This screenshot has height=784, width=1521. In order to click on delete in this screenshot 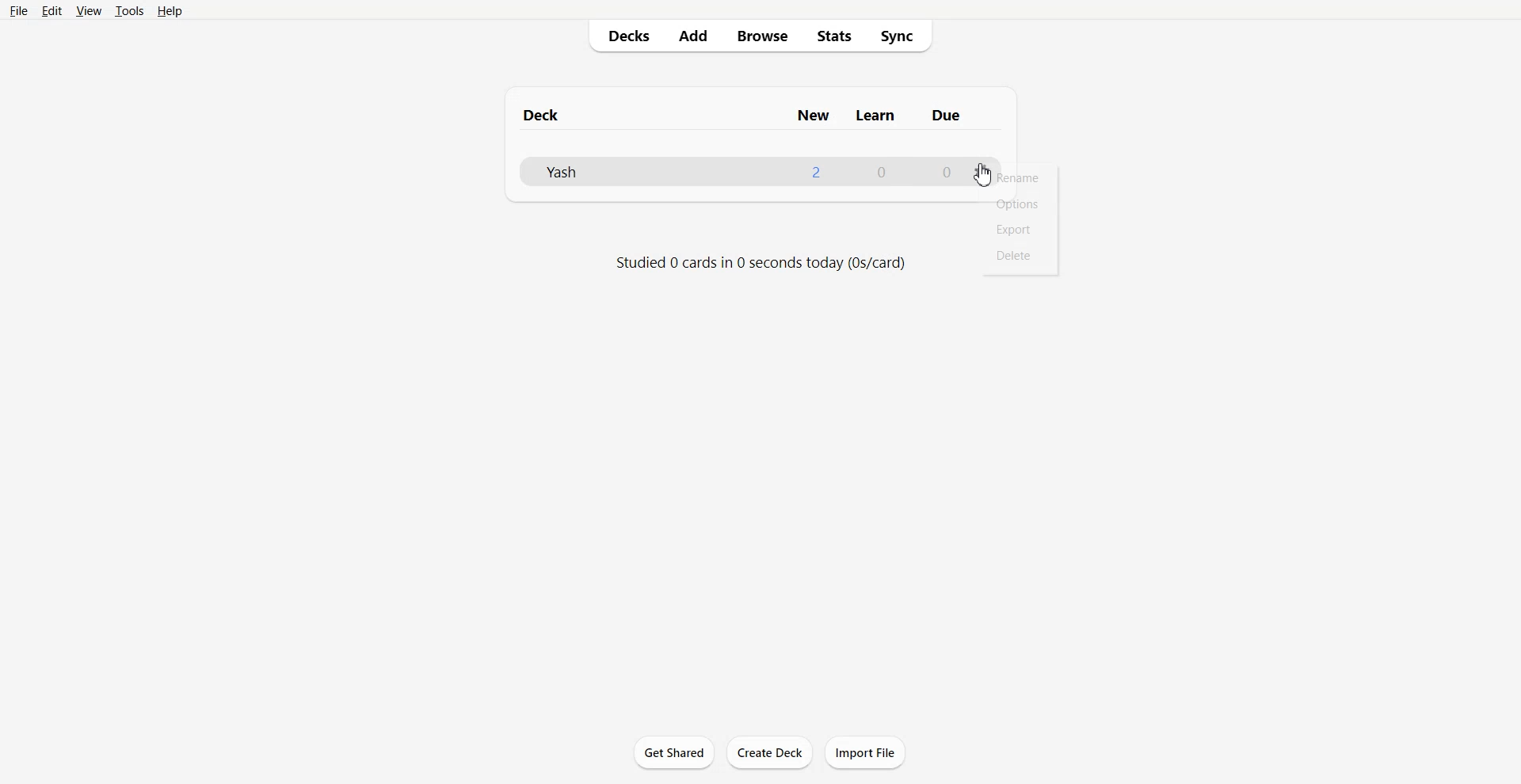, I will do `click(1012, 255)`.